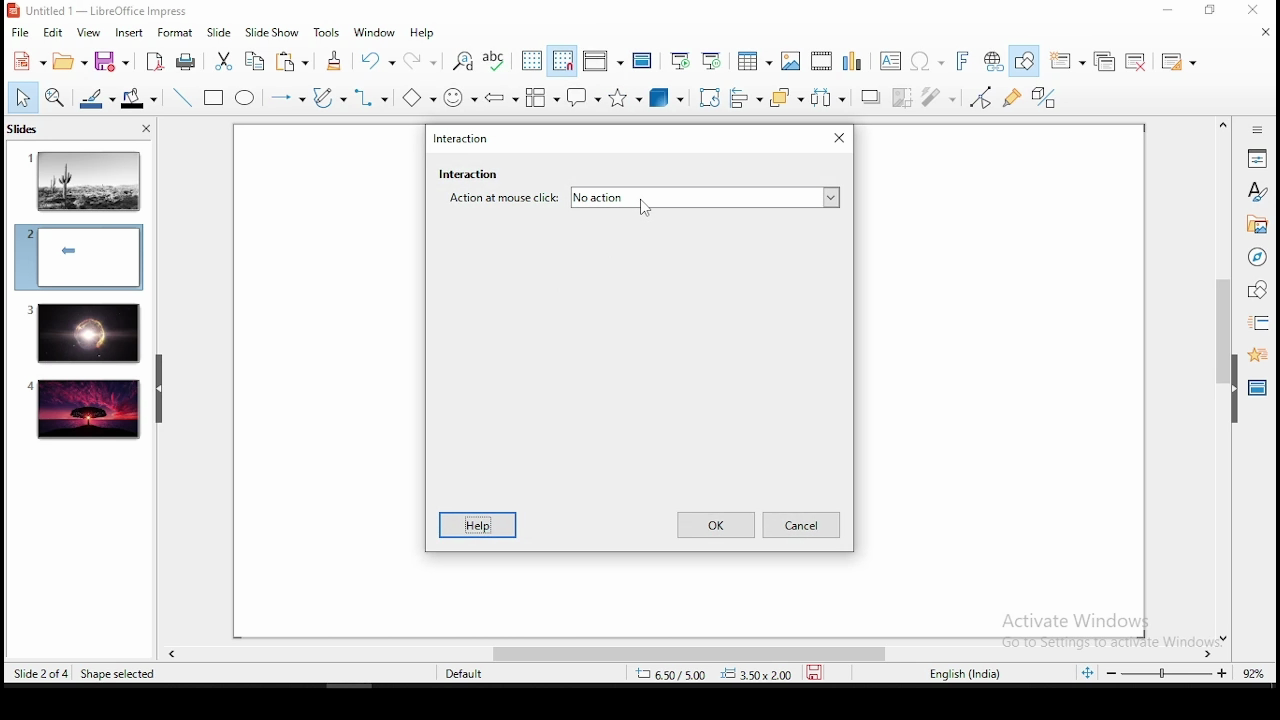  What do you see at coordinates (468, 138) in the screenshot?
I see `Interaction` at bounding box center [468, 138].